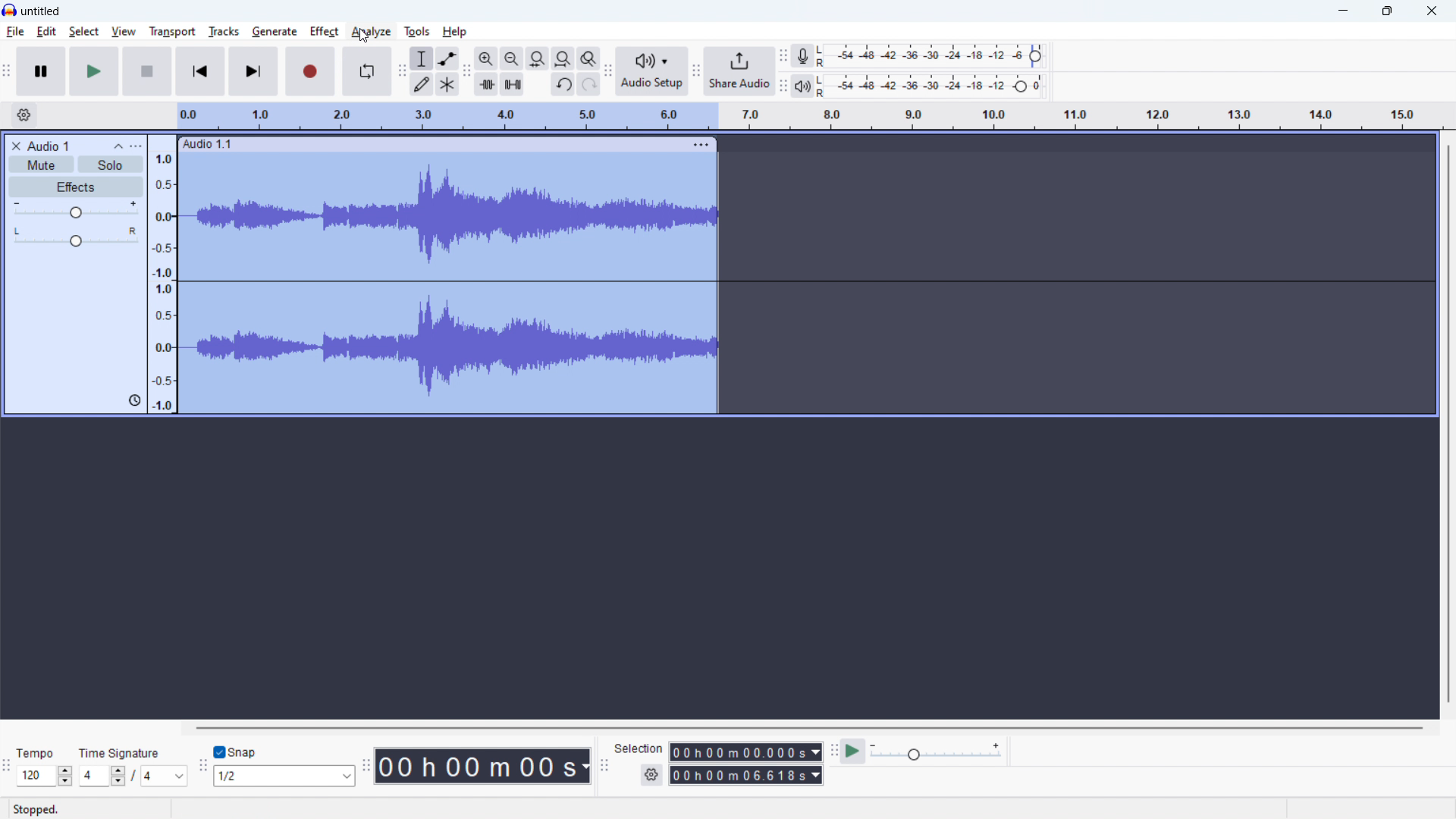  Describe the element at coordinates (44, 777) in the screenshot. I see `set tempo` at that location.